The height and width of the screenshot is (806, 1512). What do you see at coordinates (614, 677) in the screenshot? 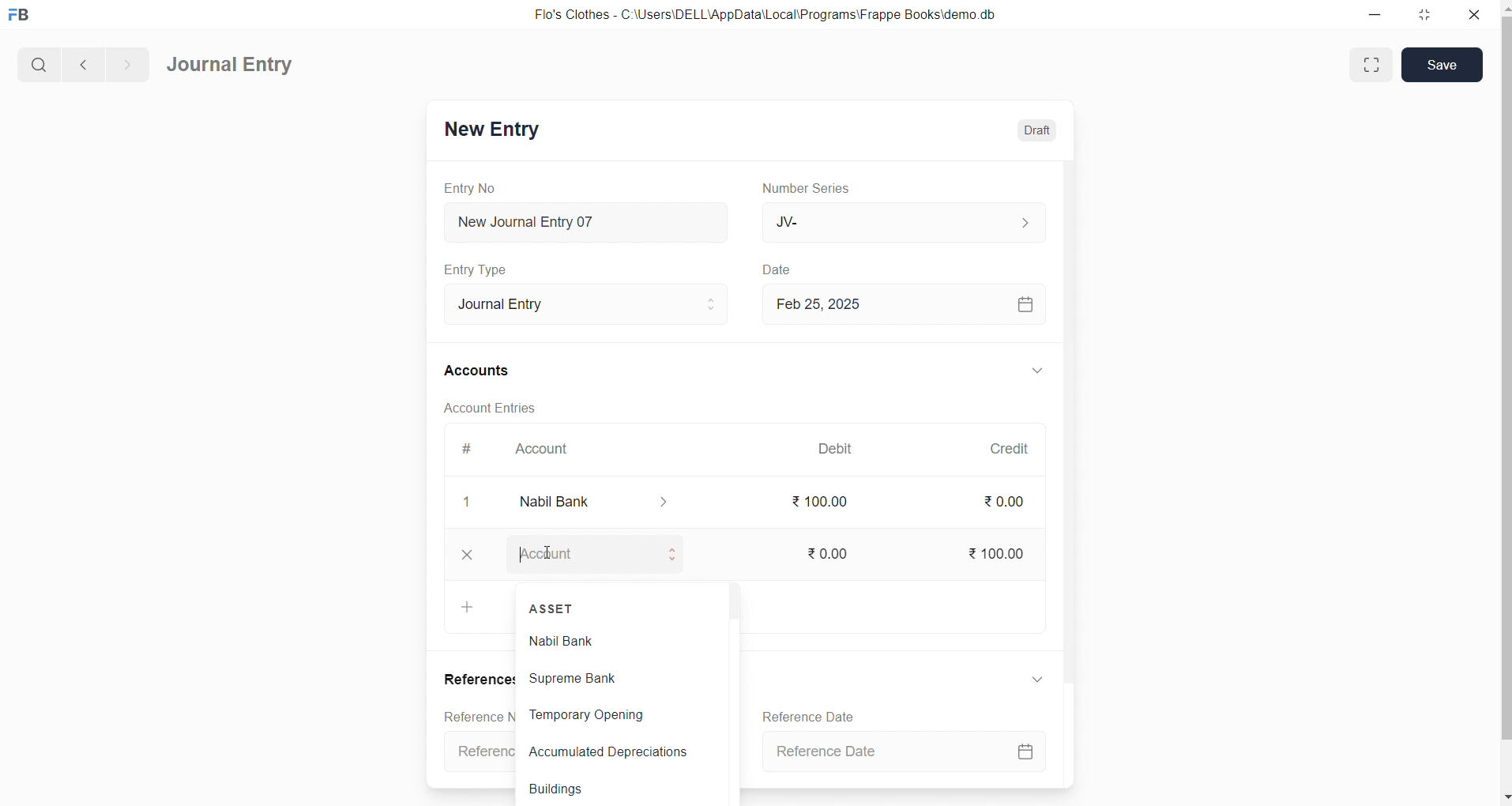
I see `supreme Bank` at bounding box center [614, 677].